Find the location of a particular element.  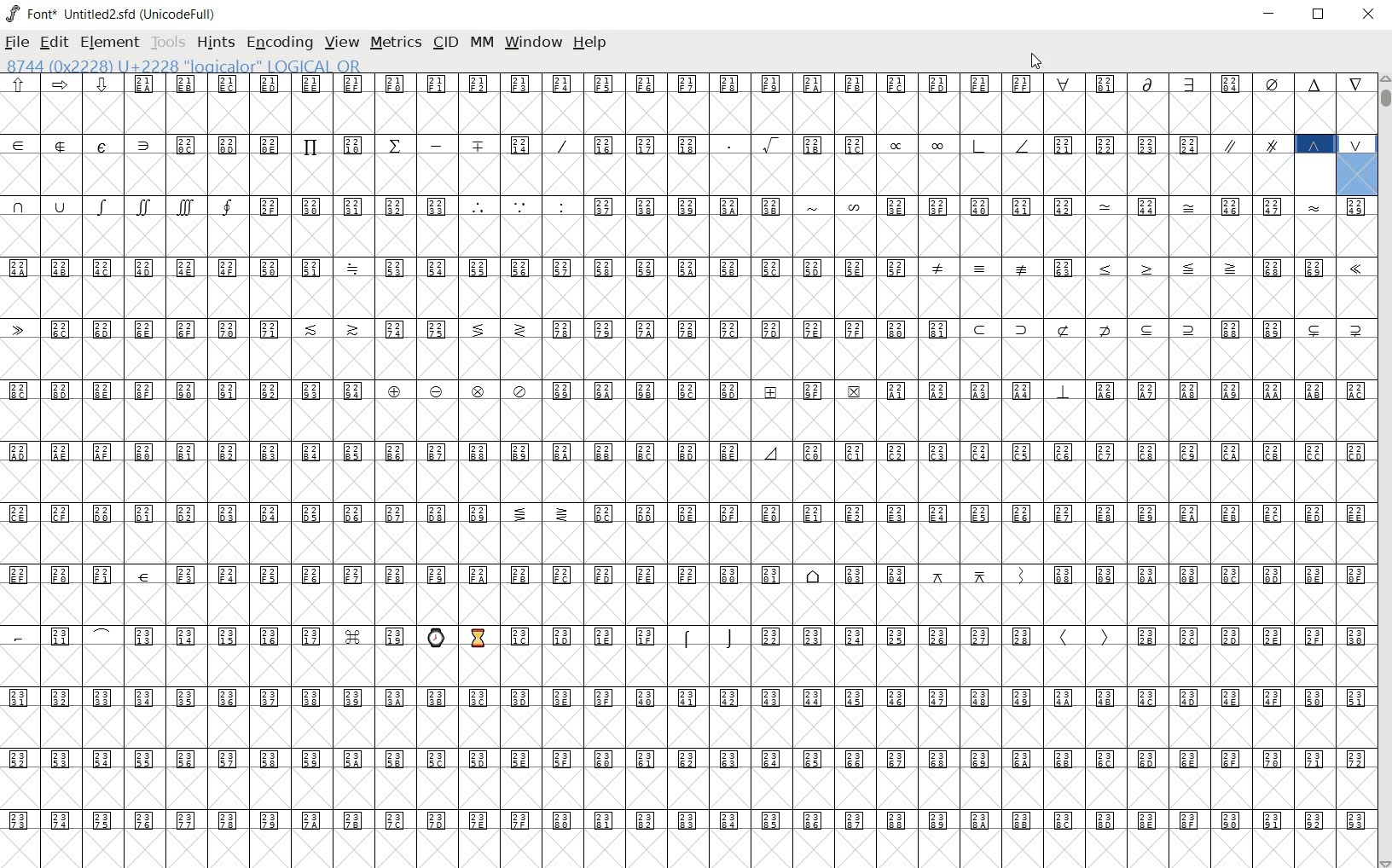

view is located at coordinates (342, 43).